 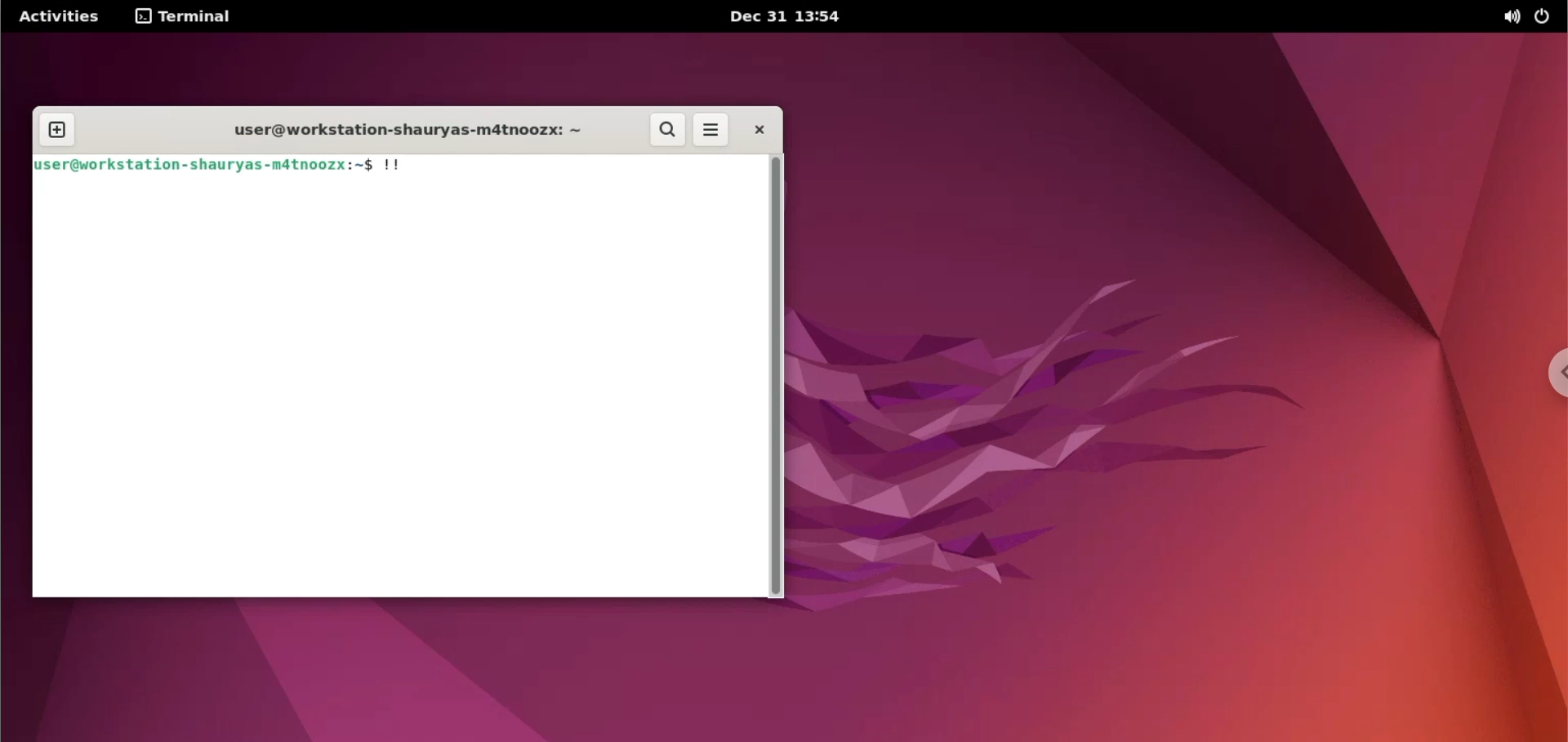 I want to click on more options, so click(x=711, y=131).